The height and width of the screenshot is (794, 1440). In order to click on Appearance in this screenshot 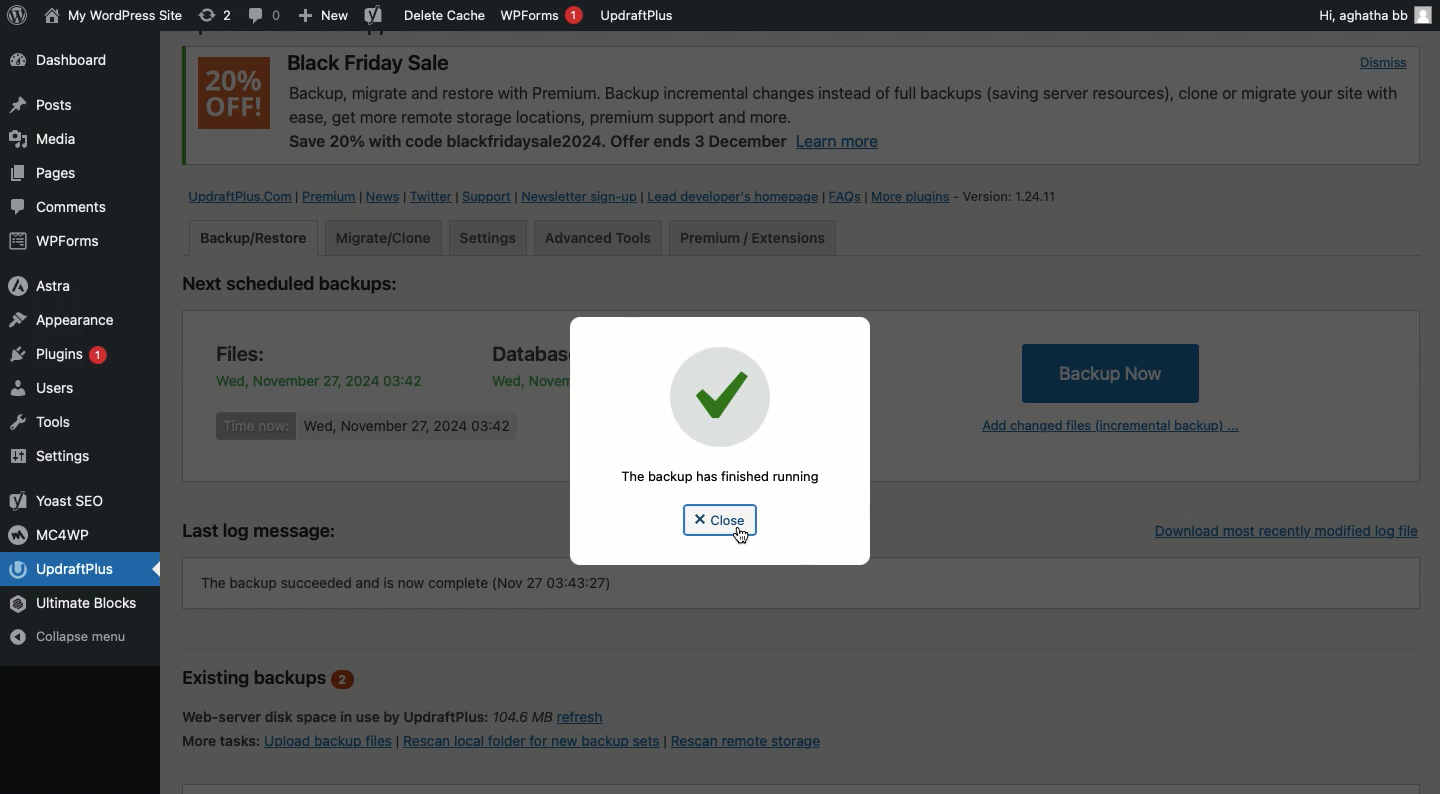, I will do `click(62, 319)`.